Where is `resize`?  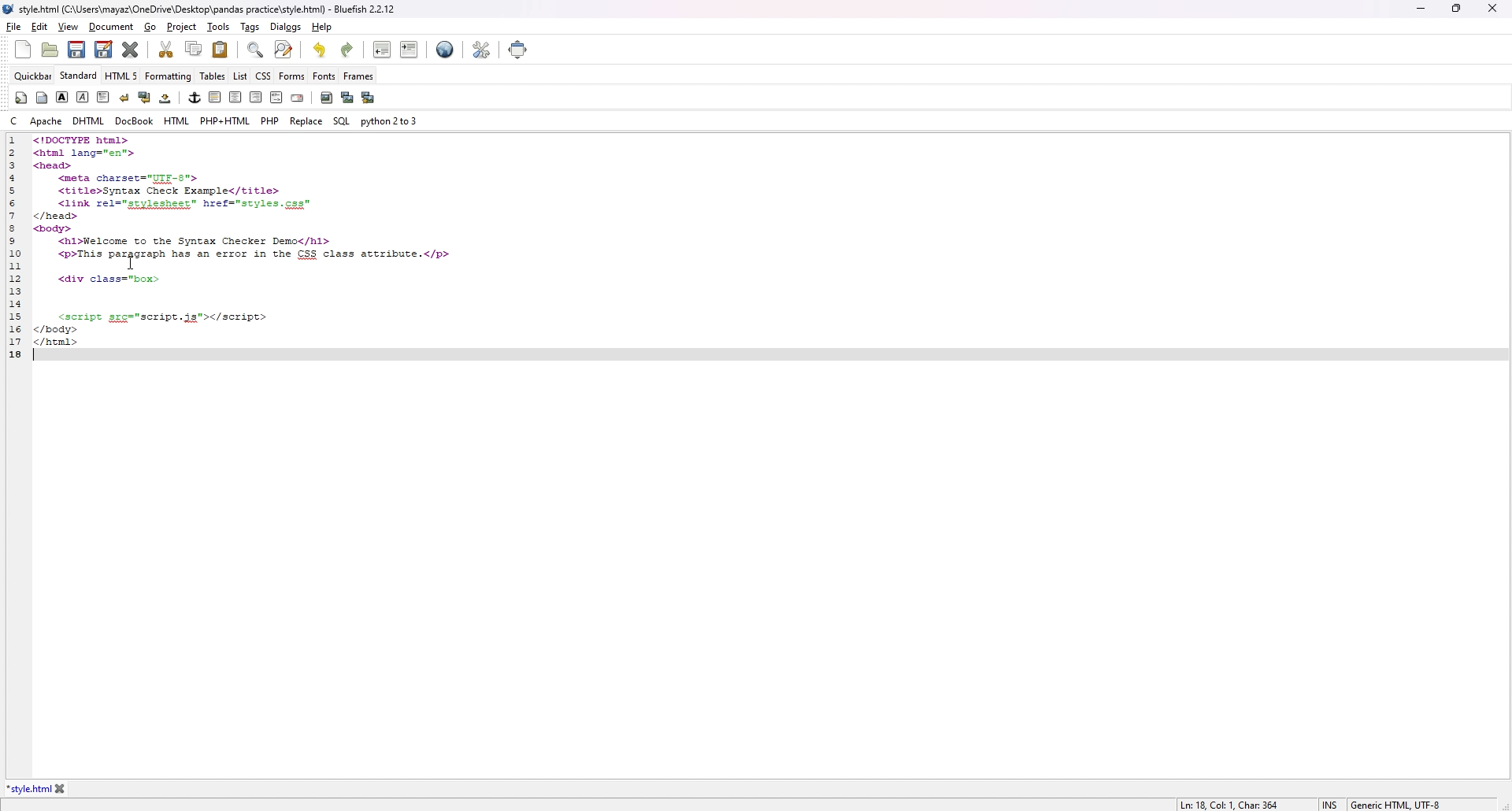
resize is located at coordinates (1456, 8).